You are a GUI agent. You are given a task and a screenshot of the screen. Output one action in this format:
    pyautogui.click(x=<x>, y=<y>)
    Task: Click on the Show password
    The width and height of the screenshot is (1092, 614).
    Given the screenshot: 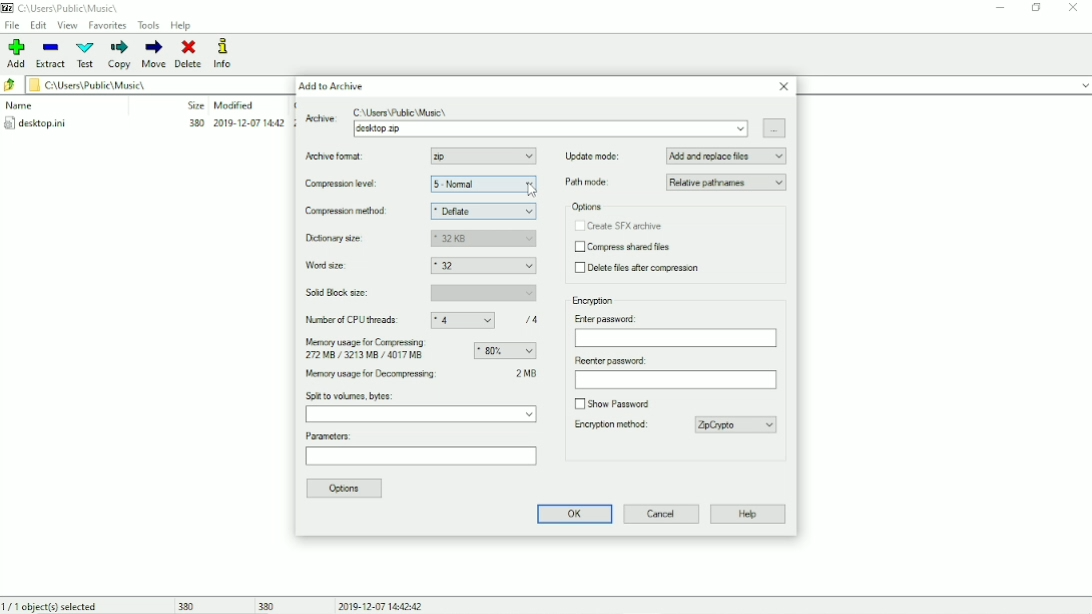 What is the action you would take?
    pyautogui.click(x=612, y=402)
    